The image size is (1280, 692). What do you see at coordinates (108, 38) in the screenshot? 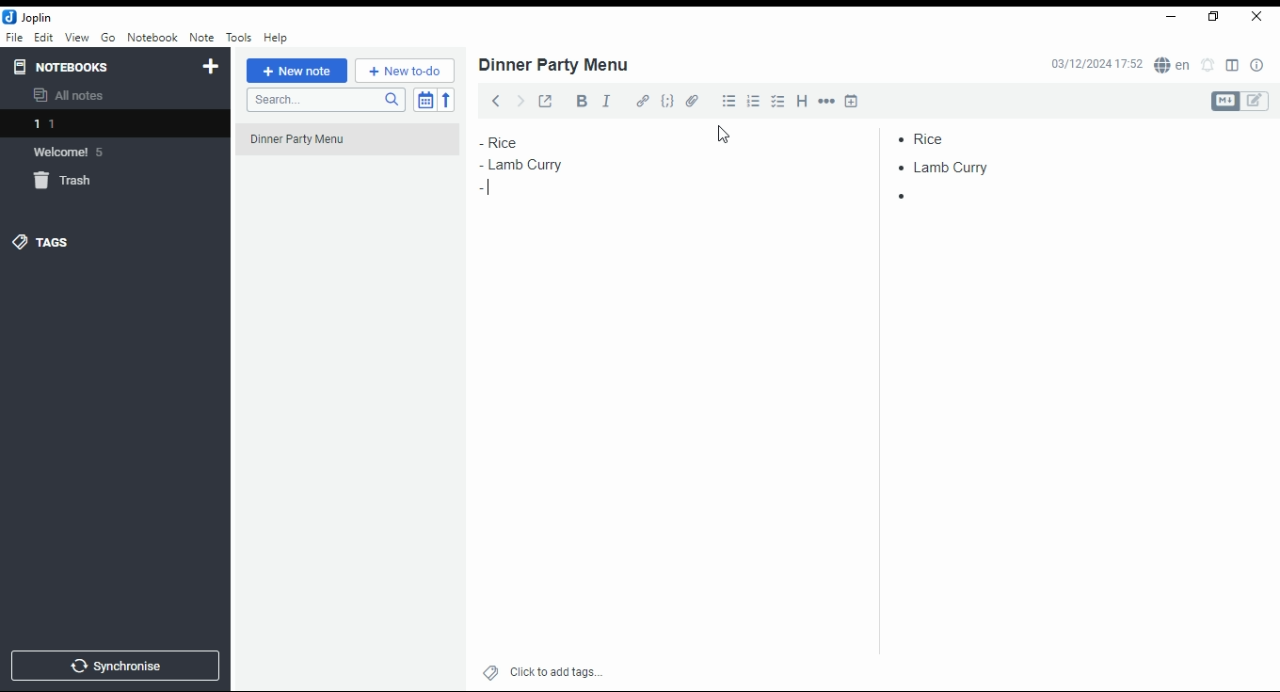
I see `go` at bounding box center [108, 38].